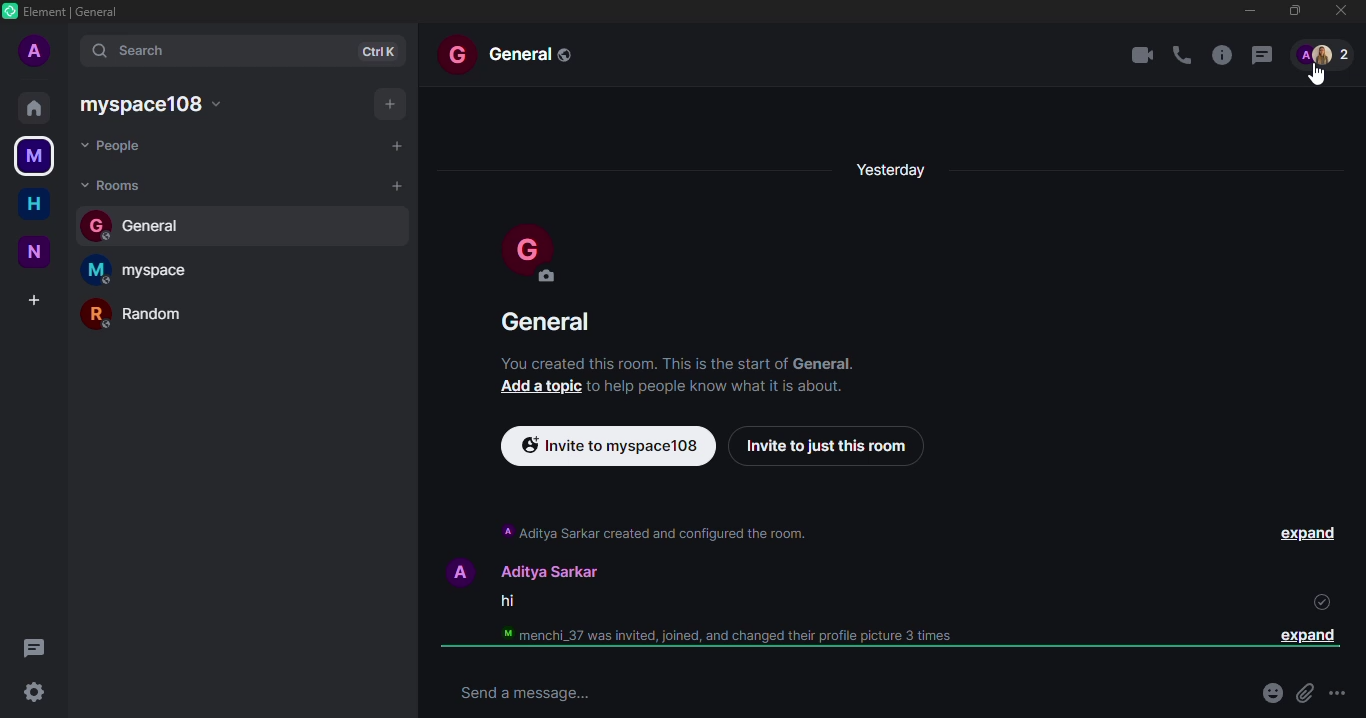 This screenshot has height=718, width=1366. Describe the element at coordinates (516, 570) in the screenshot. I see `aditya sarkar` at that location.